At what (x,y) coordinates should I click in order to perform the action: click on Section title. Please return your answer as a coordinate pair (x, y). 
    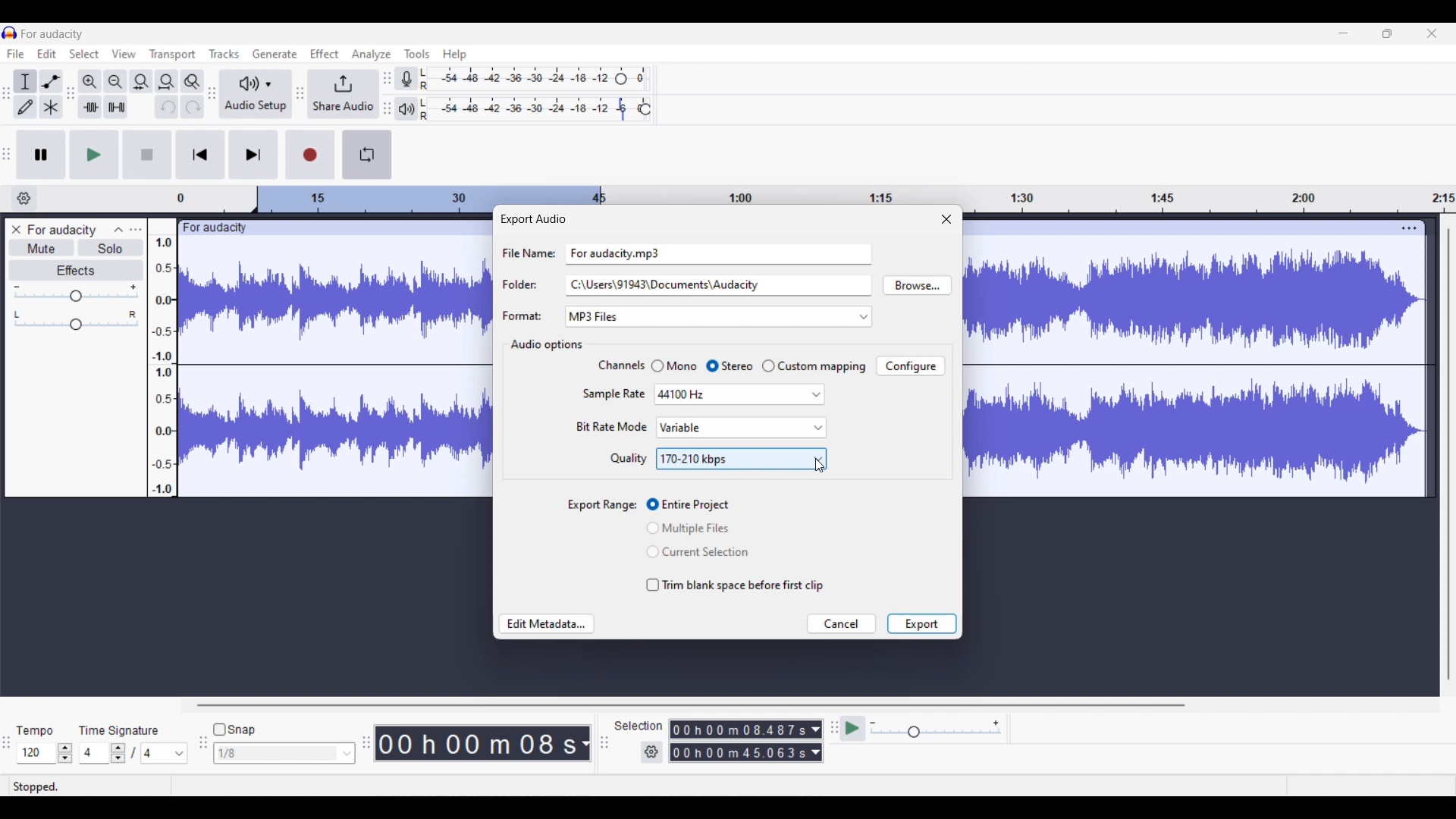
    Looking at the image, I should click on (545, 345).